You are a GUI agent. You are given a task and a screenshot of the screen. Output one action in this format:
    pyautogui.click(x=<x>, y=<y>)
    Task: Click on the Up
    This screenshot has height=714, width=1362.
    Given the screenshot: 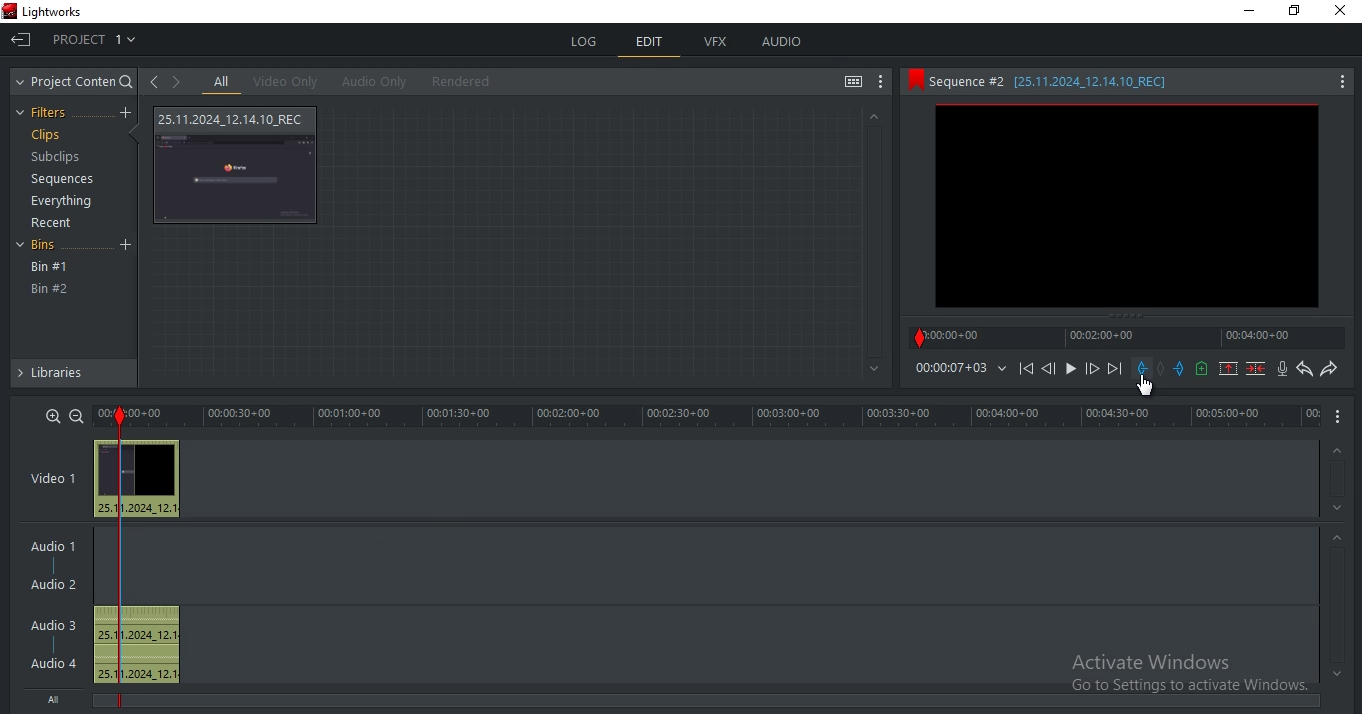 What is the action you would take?
    pyautogui.click(x=873, y=116)
    